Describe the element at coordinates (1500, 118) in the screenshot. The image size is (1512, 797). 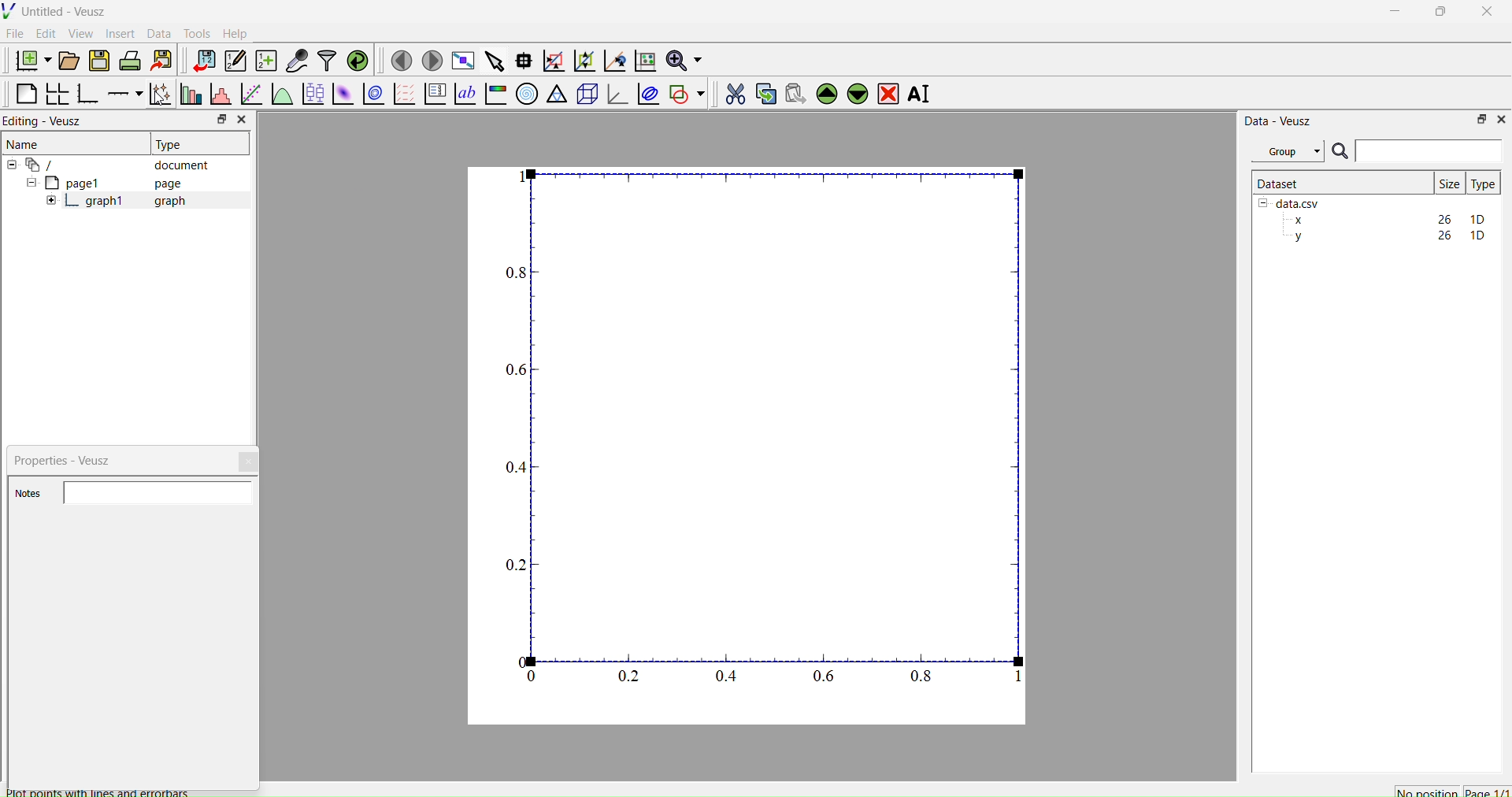
I see `Close` at that location.